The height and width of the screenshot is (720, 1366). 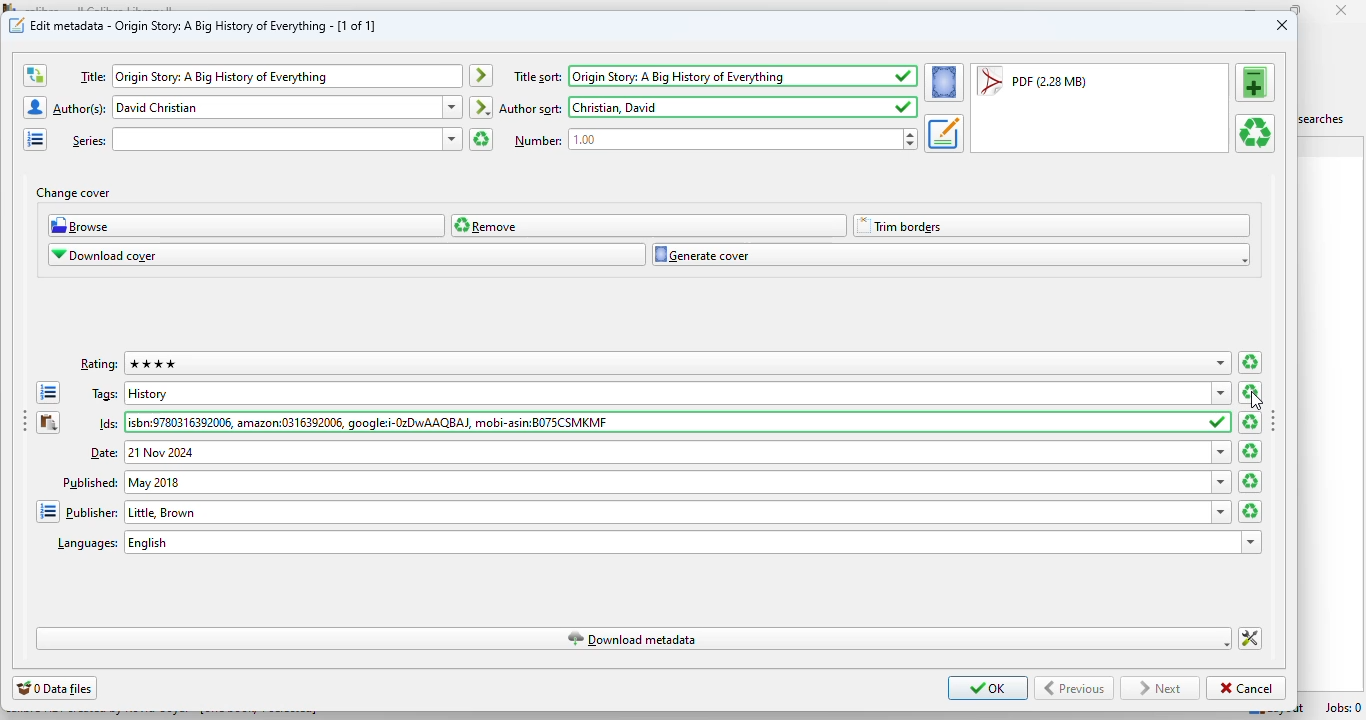 I want to click on series: , so click(x=276, y=139).